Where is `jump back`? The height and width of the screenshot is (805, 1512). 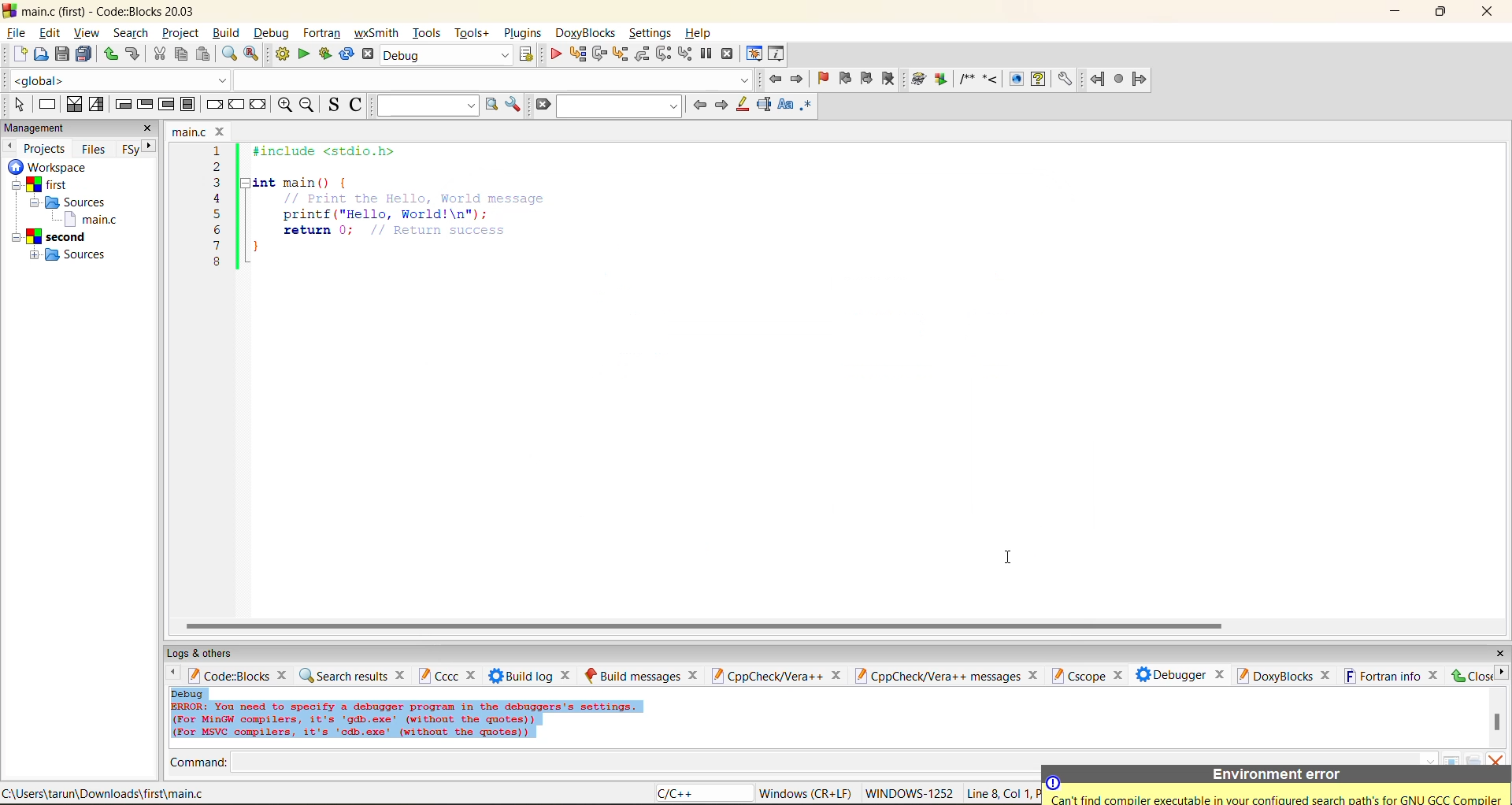
jump back is located at coordinates (773, 79).